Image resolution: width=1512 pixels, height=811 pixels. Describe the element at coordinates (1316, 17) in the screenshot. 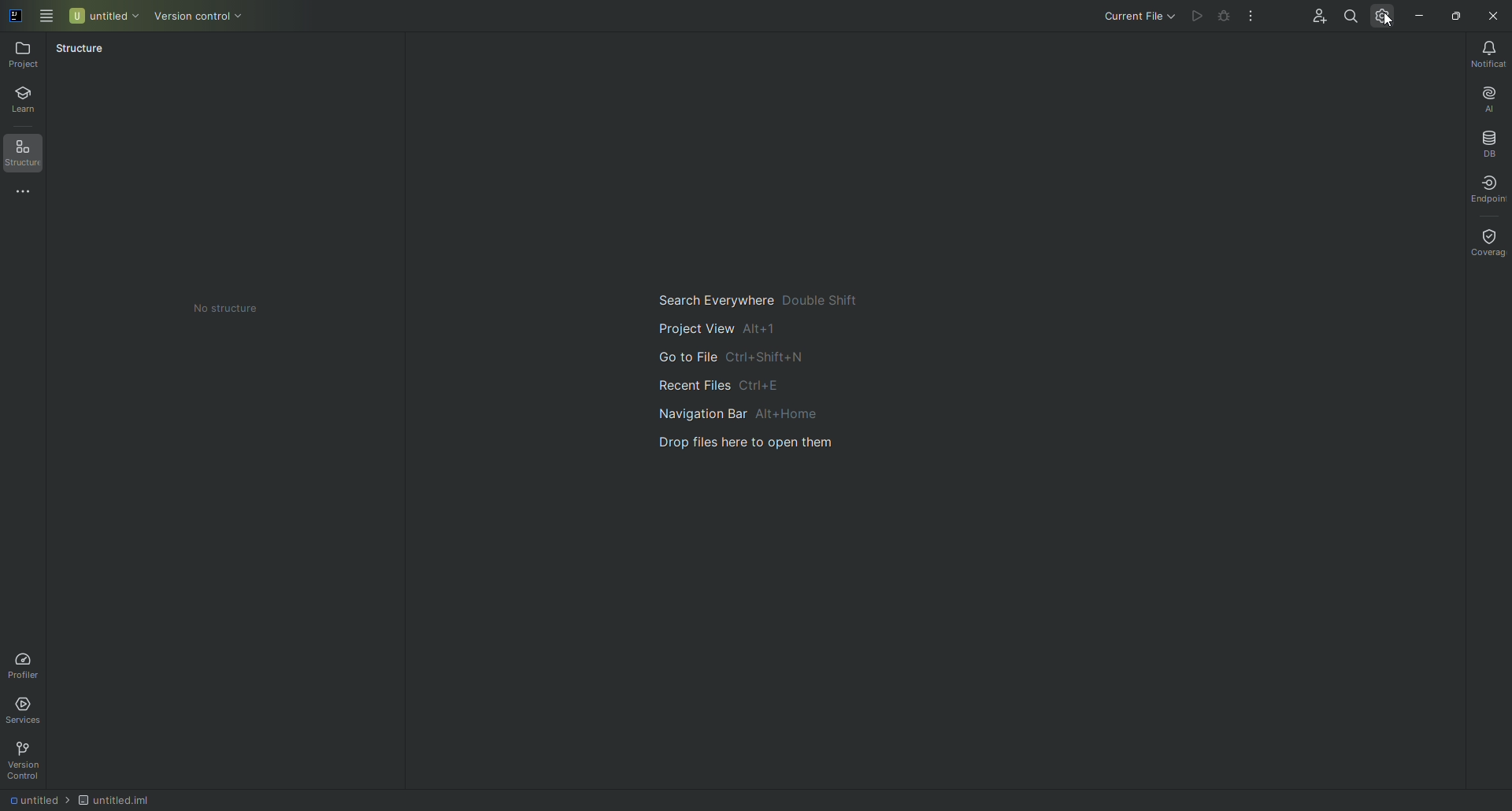

I see `Code With Me` at that location.